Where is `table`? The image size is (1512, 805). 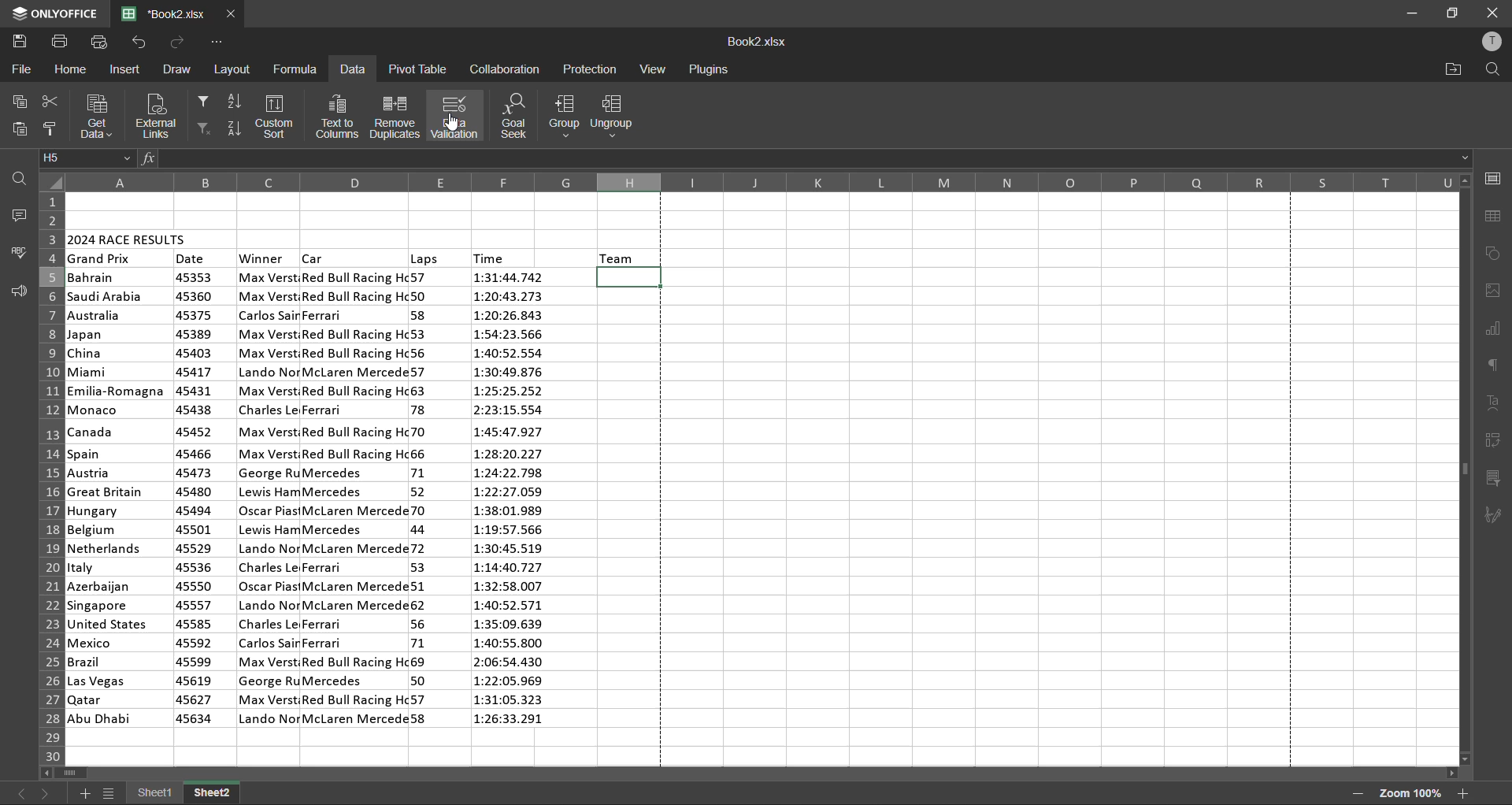 table is located at coordinates (1497, 217).